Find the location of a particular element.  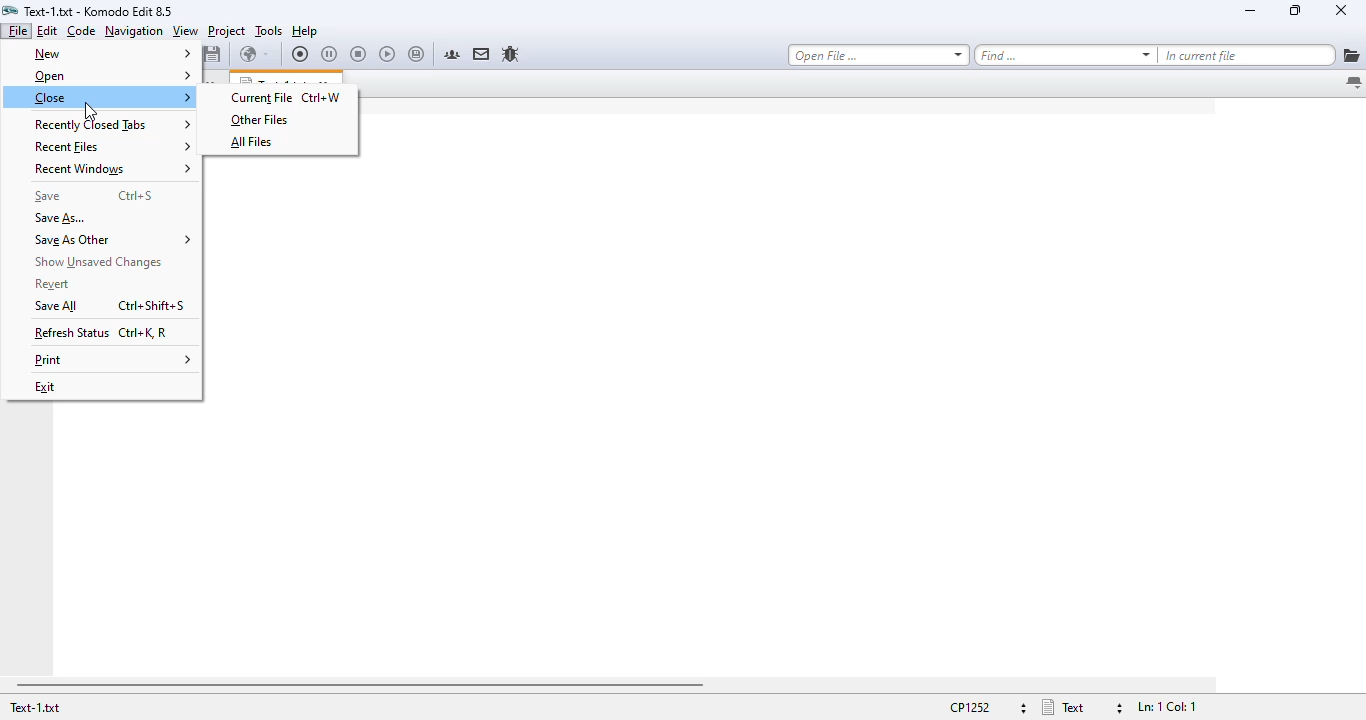

horizontal scroll bar is located at coordinates (359, 685).